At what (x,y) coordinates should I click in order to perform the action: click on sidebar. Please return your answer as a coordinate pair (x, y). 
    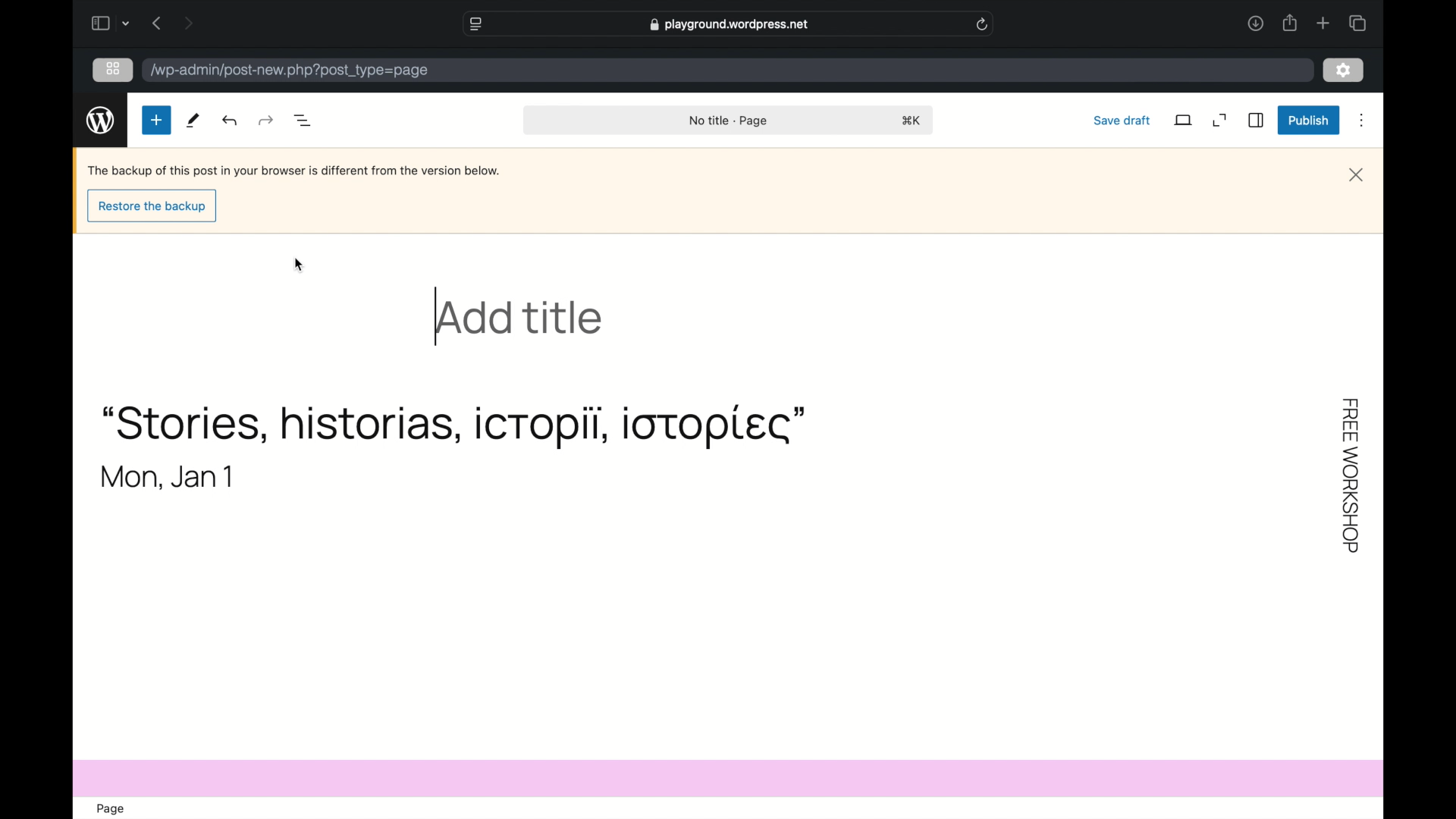
    Looking at the image, I should click on (1257, 121).